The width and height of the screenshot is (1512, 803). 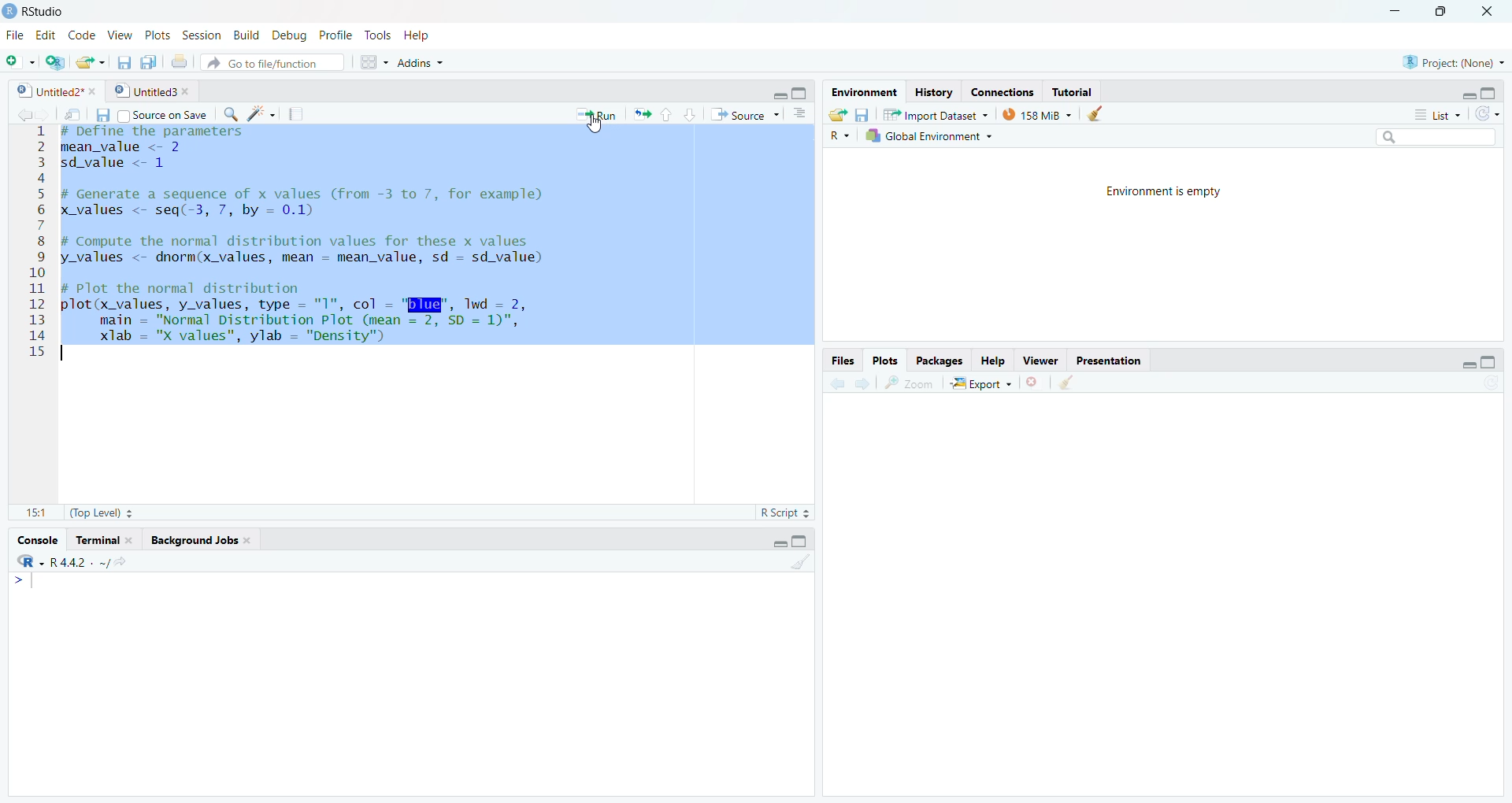 What do you see at coordinates (1492, 12) in the screenshot?
I see `close` at bounding box center [1492, 12].